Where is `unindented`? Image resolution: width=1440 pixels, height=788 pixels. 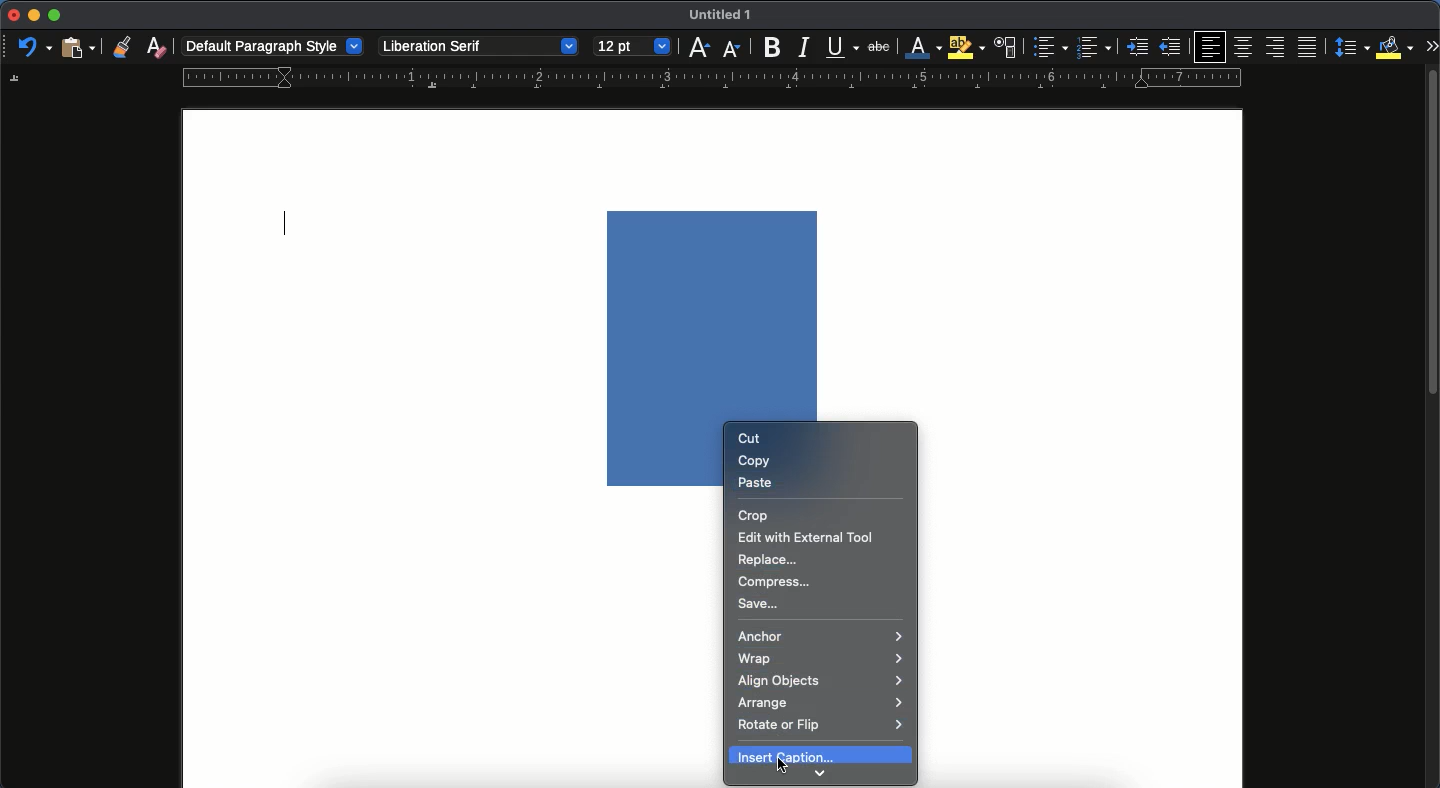
unindented is located at coordinates (1170, 47).